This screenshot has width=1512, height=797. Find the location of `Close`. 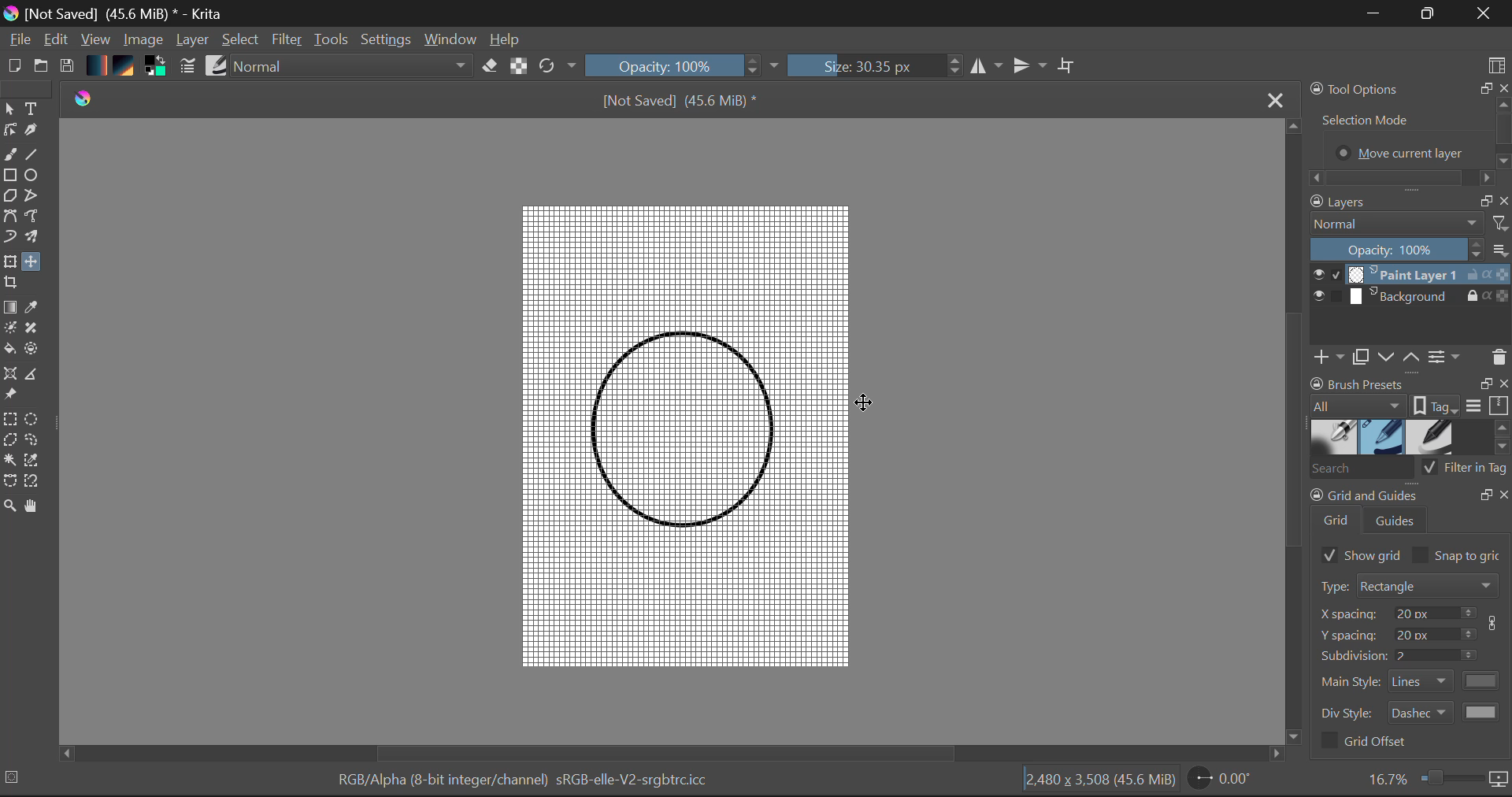

Close is located at coordinates (1487, 13).